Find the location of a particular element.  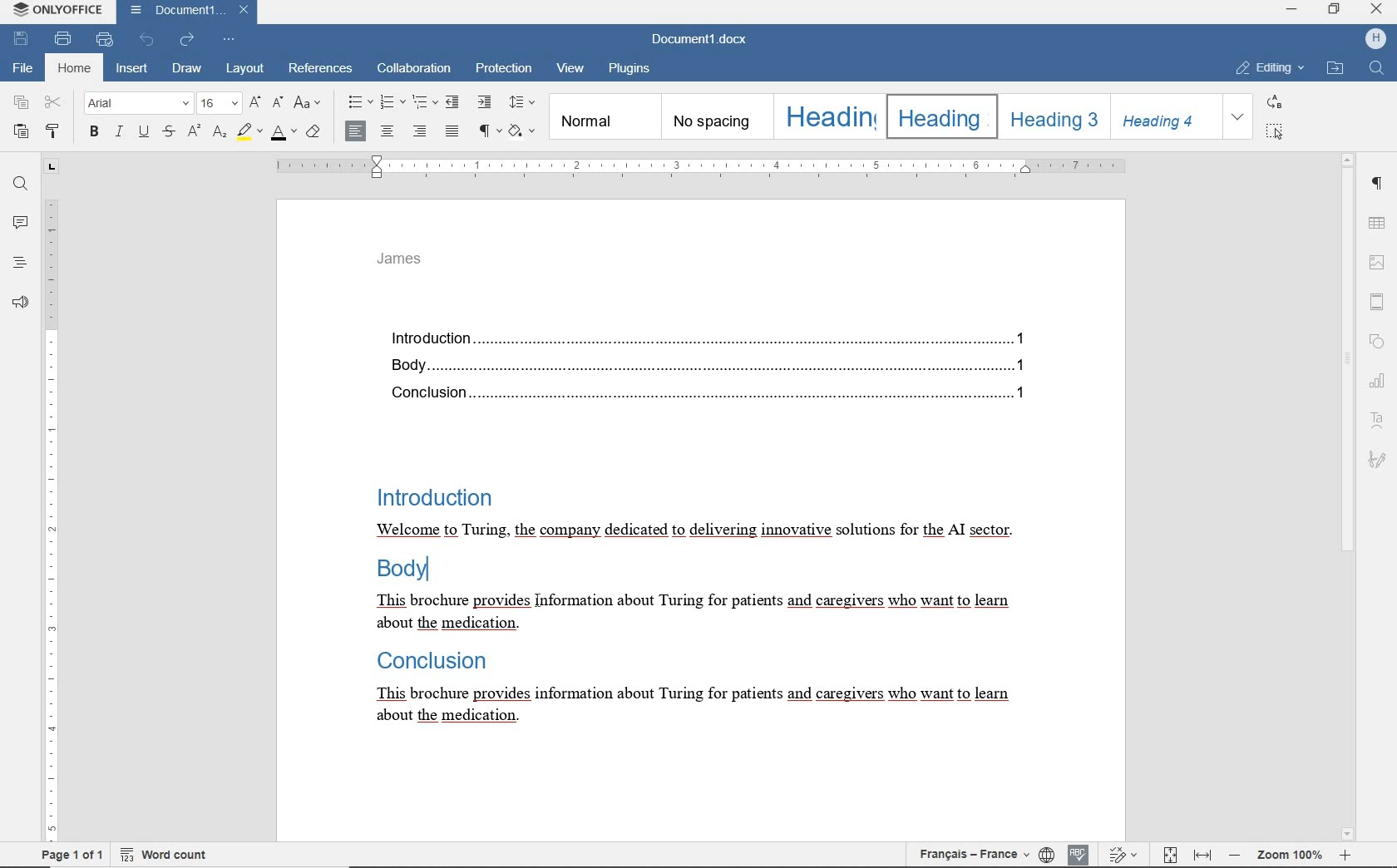

INCREASE INDENT is located at coordinates (486, 102).